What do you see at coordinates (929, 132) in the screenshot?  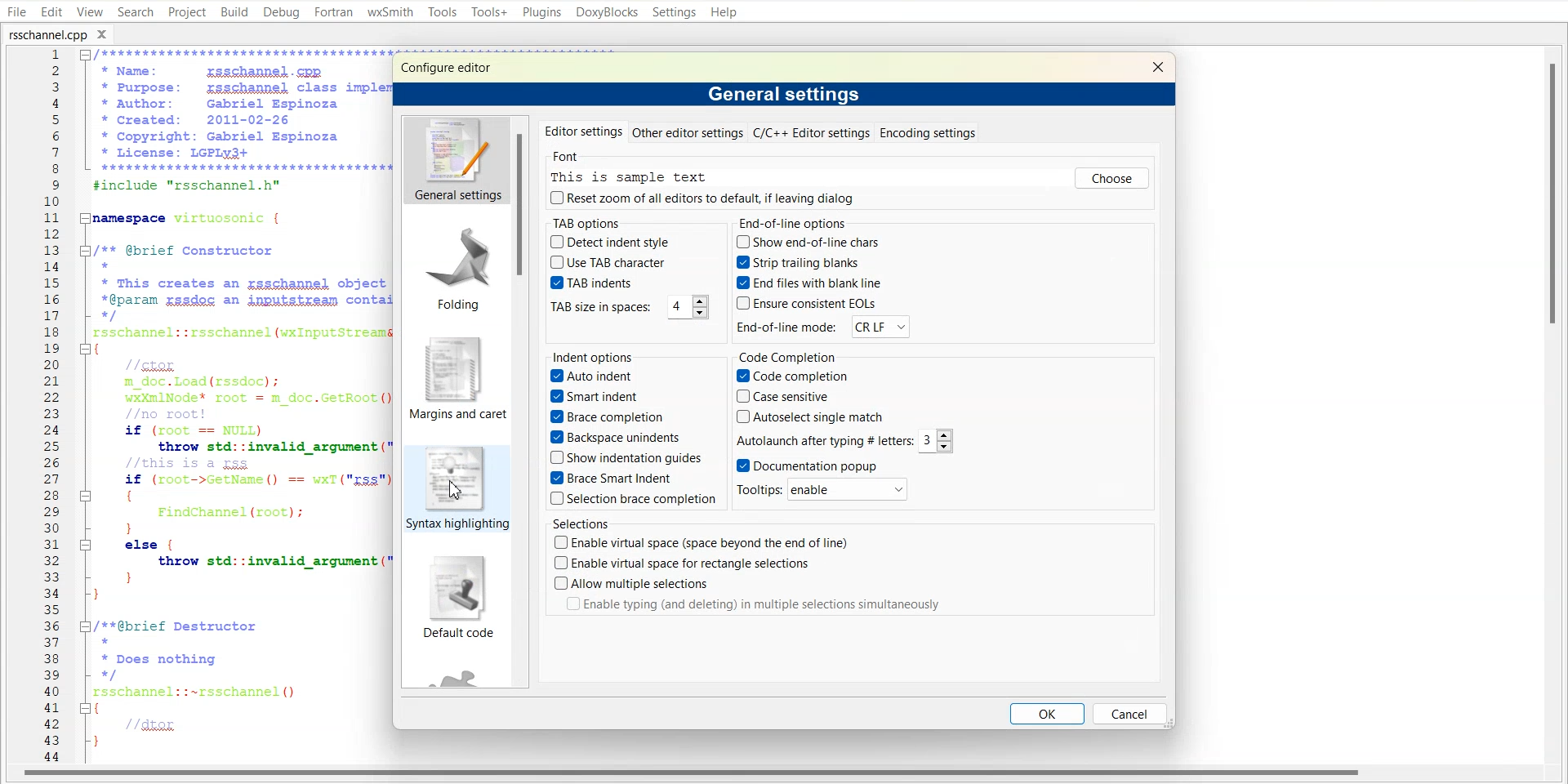 I see `Encoding settings` at bounding box center [929, 132].